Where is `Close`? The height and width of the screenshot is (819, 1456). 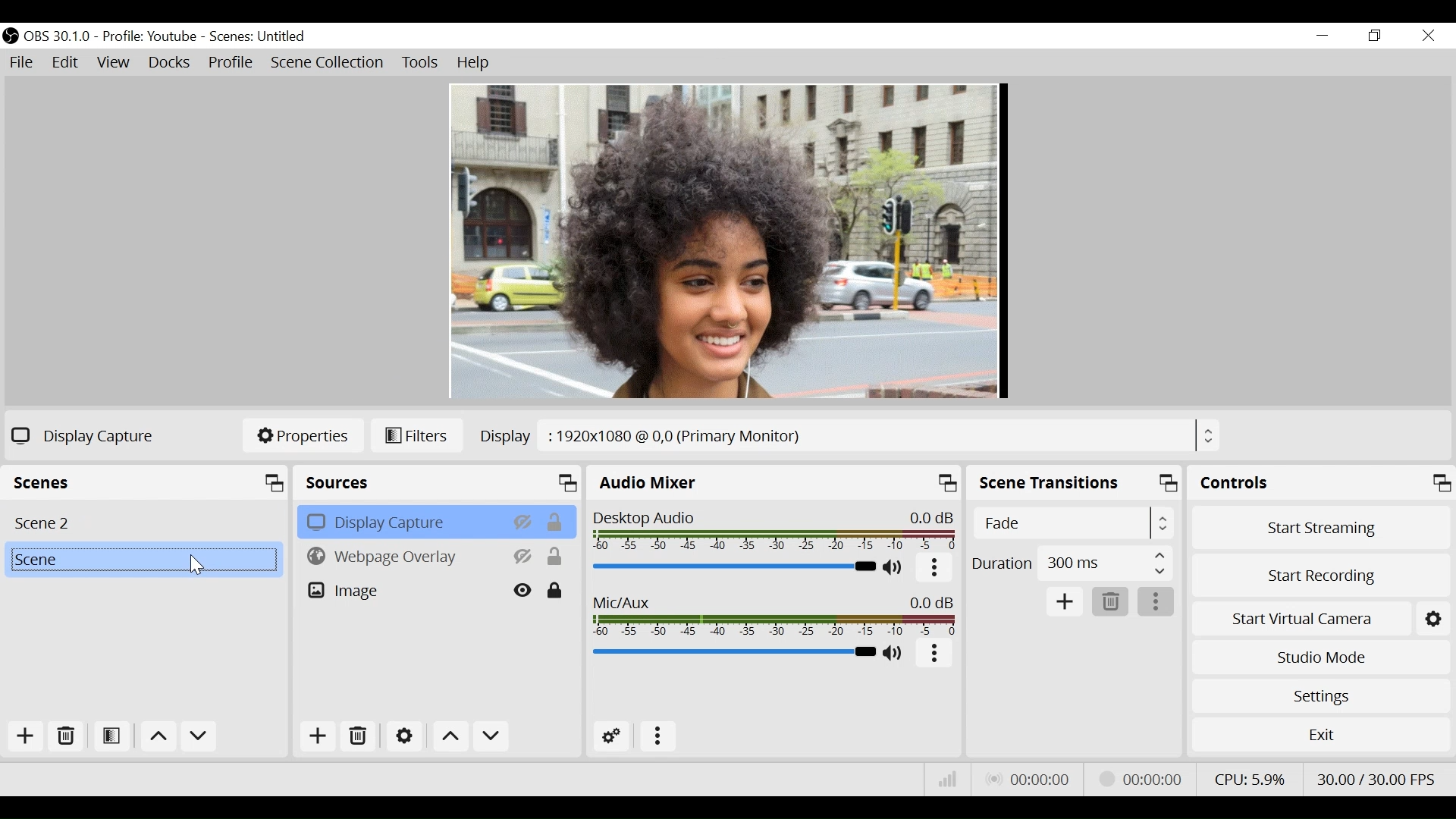
Close is located at coordinates (1428, 35).